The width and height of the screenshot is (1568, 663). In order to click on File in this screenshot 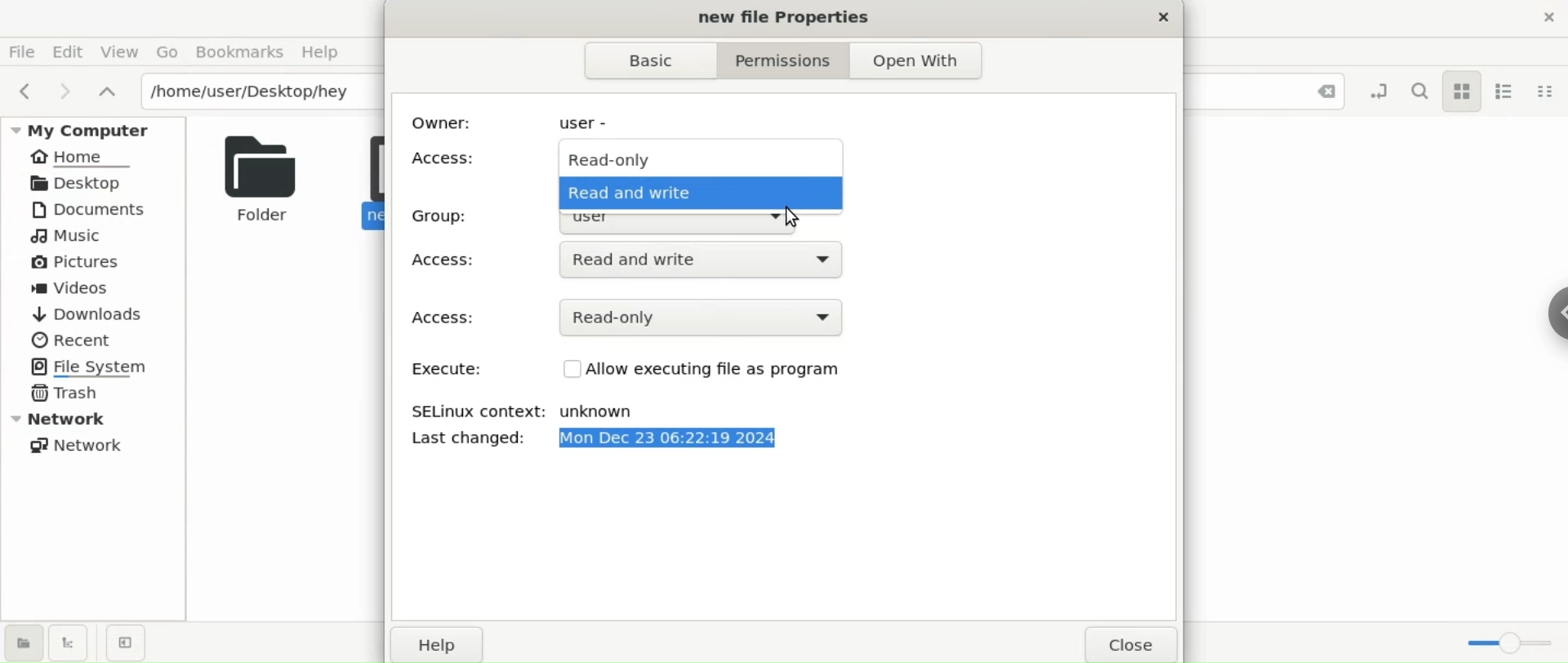, I will do `click(22, 52)`.